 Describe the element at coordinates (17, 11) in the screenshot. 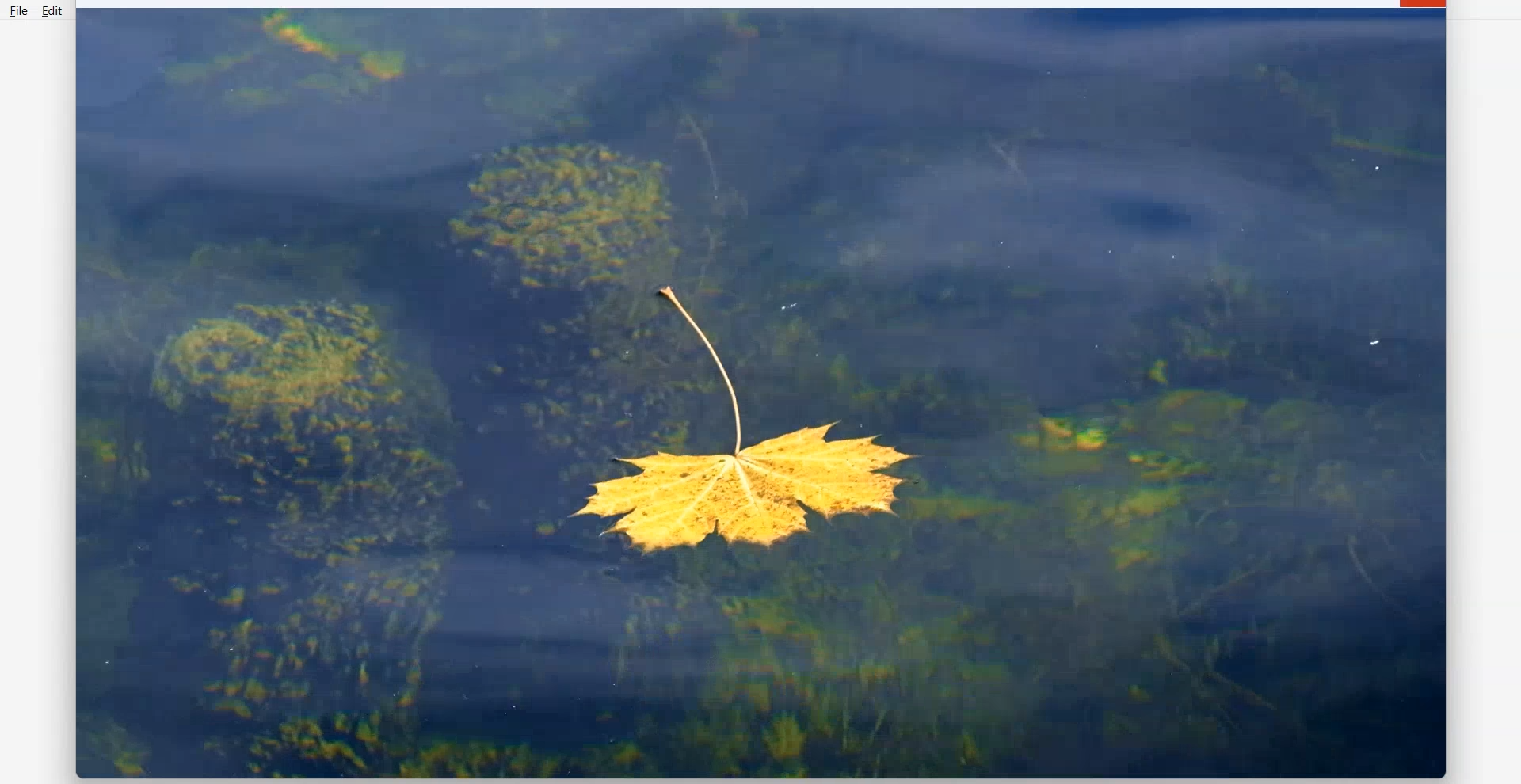

I see `file` at that location.